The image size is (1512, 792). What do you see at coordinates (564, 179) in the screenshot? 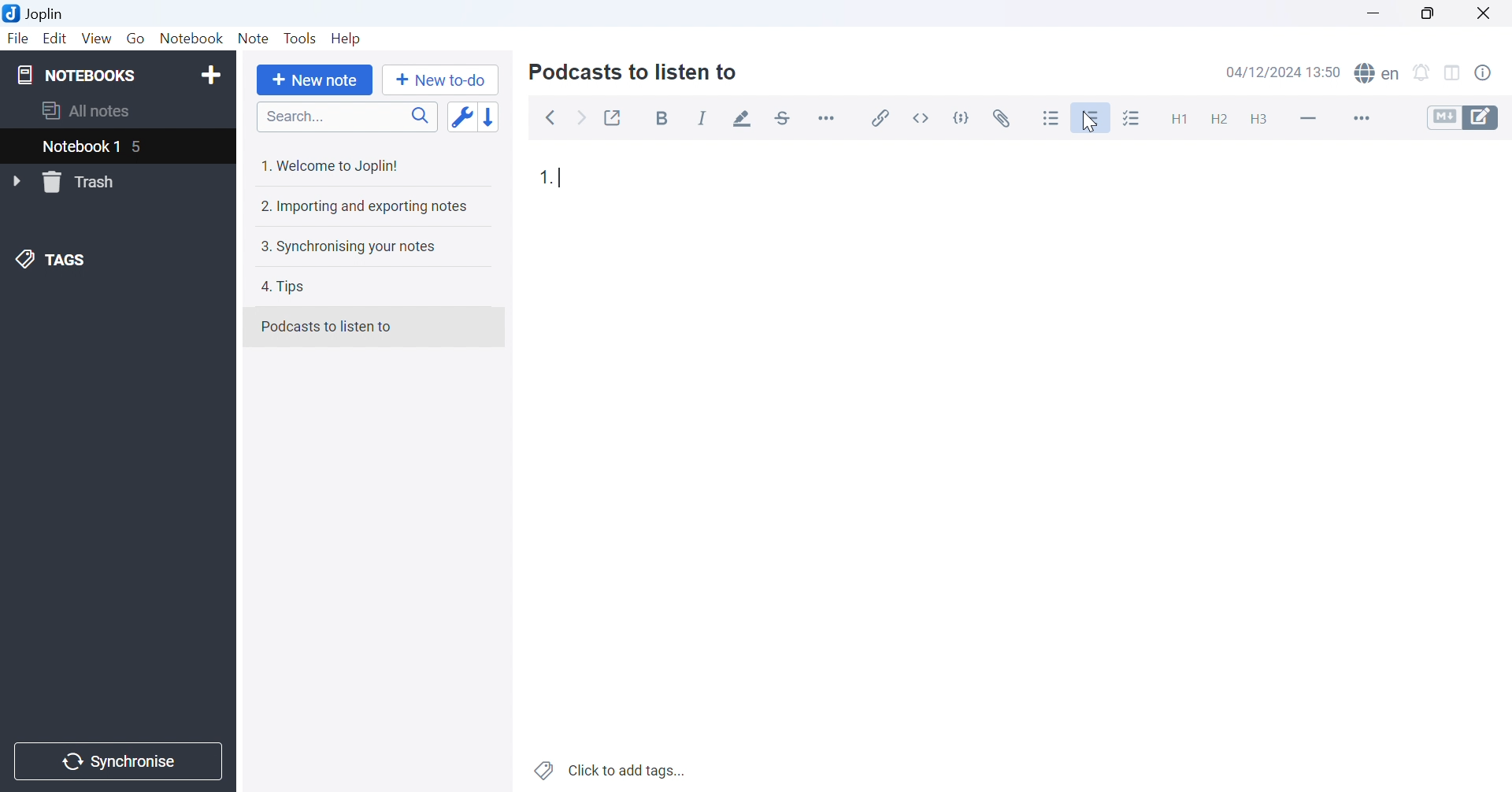
I see `Typing cursor` at bounding box center [564, 179].